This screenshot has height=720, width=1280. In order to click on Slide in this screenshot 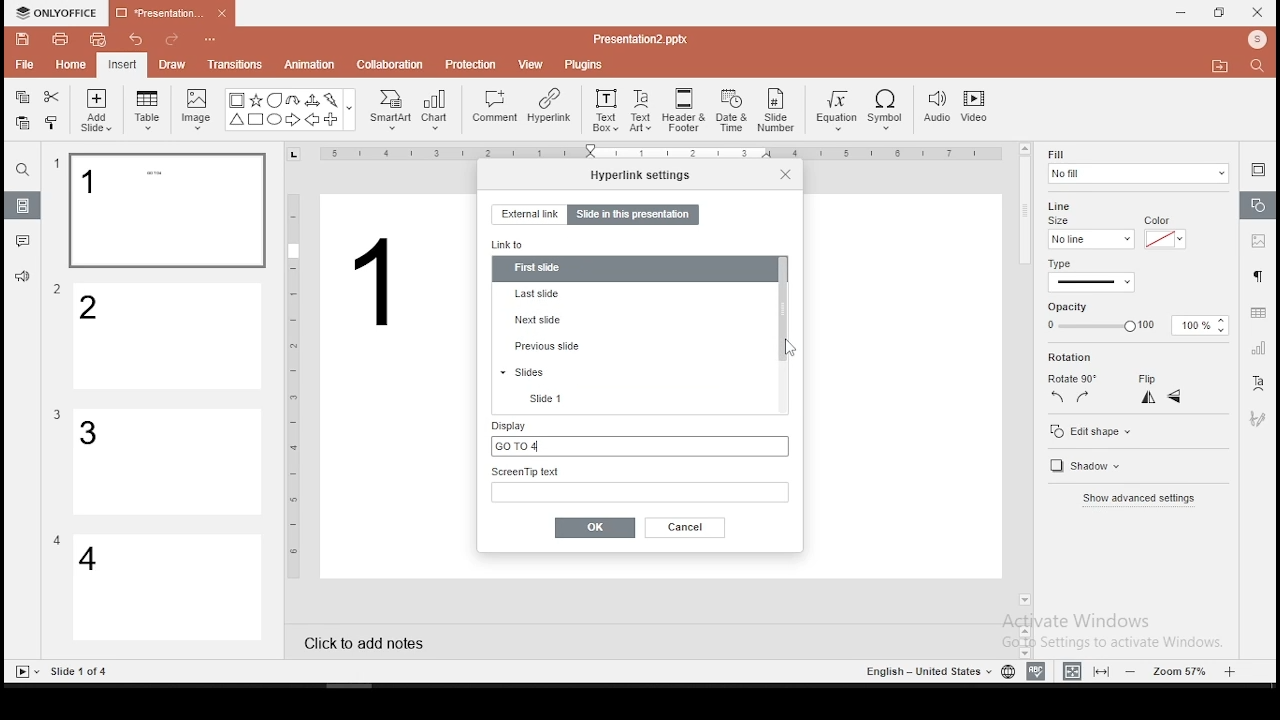, I will do `click(23, 672)`.